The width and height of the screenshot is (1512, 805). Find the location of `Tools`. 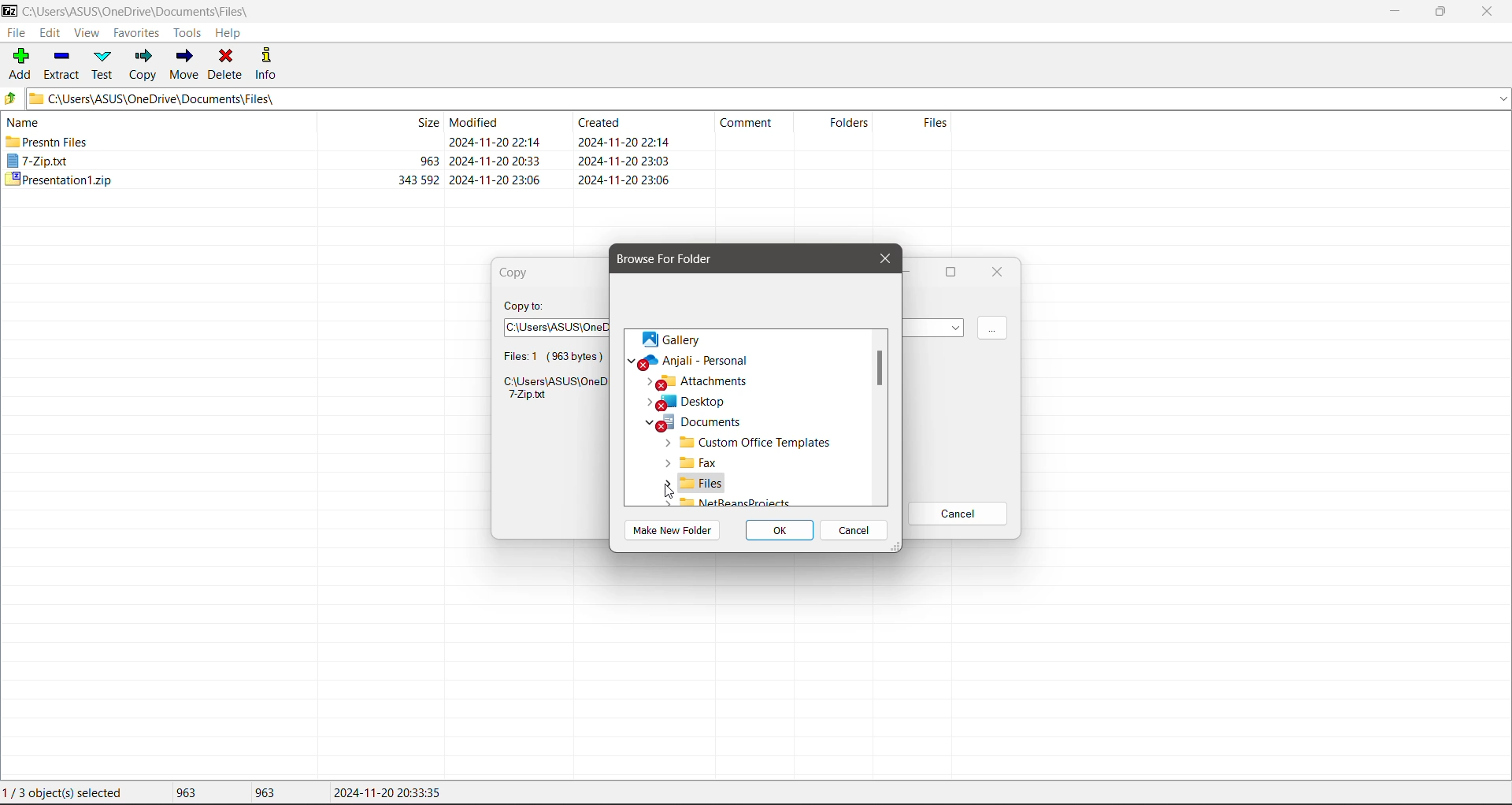

Tools is located at coordinates (186, 33).